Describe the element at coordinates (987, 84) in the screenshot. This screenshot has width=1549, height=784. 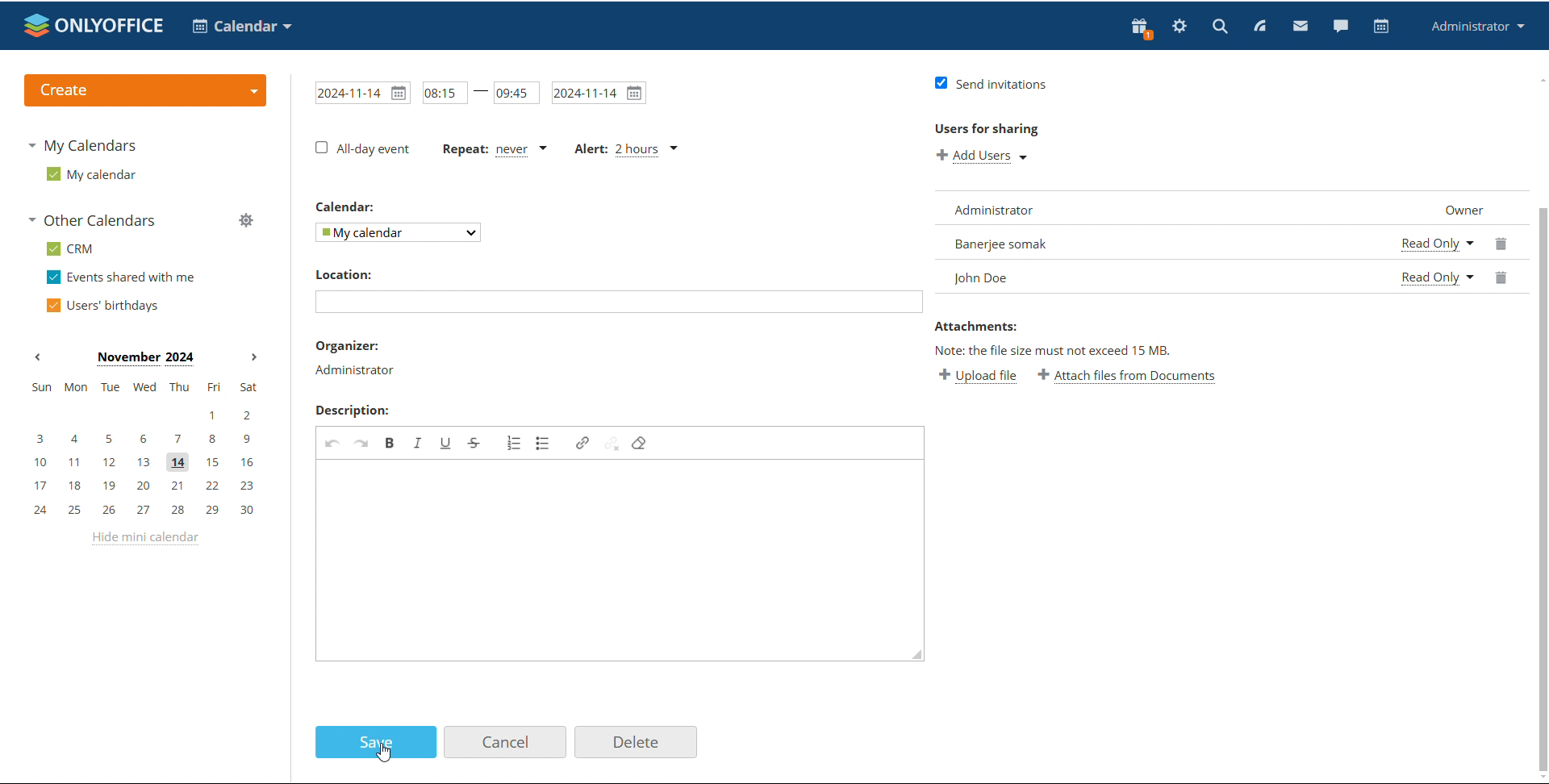
I see `send invitations` at that location.